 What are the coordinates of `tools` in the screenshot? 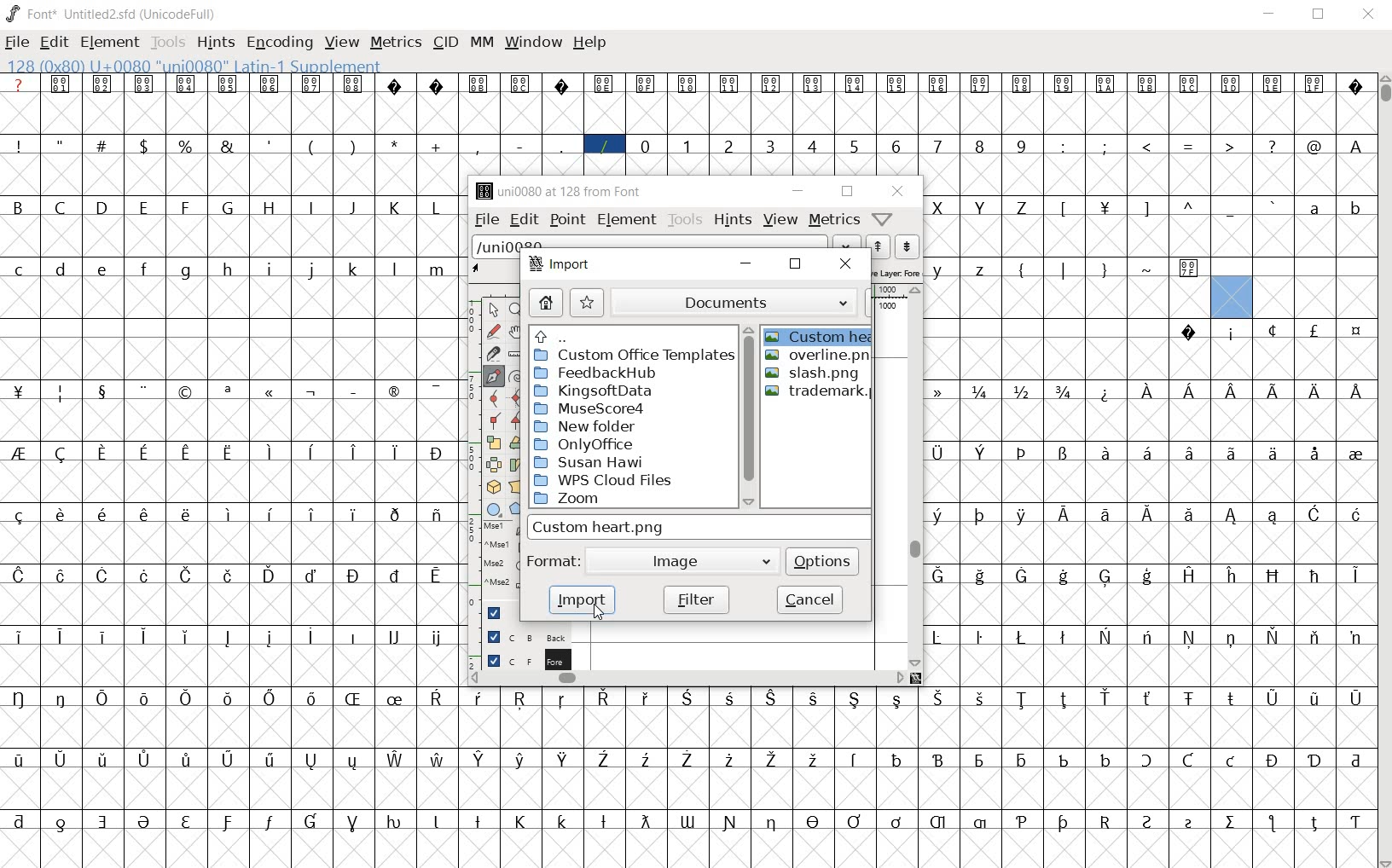 It's located at (684, 219).